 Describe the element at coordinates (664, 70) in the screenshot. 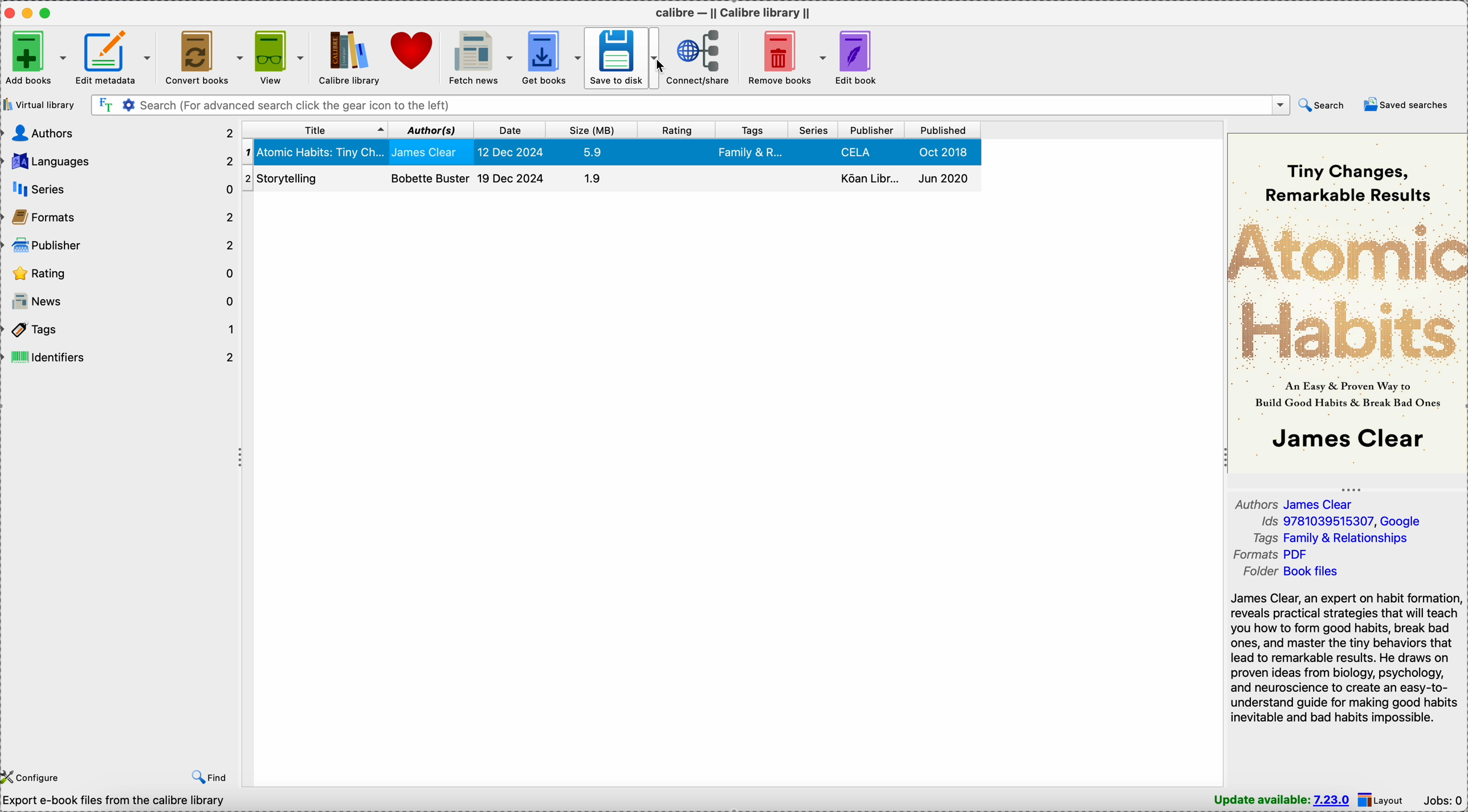

I see `cursor` at that location.